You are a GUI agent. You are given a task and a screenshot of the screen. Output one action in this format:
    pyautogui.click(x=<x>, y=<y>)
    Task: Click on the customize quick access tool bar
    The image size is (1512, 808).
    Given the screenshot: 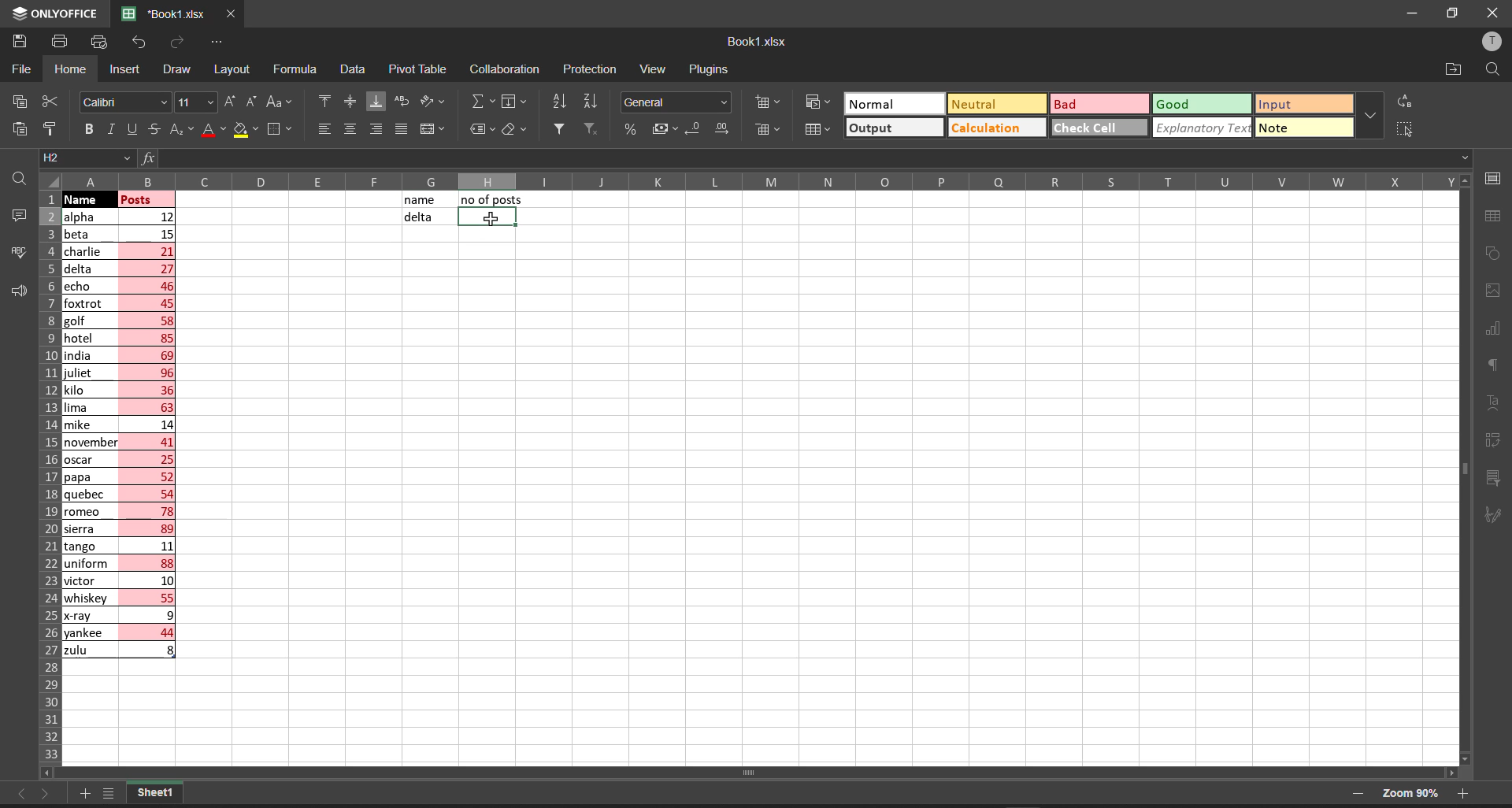 What is the action you would take?
    pyautogui.click(x=217, y=40)
    